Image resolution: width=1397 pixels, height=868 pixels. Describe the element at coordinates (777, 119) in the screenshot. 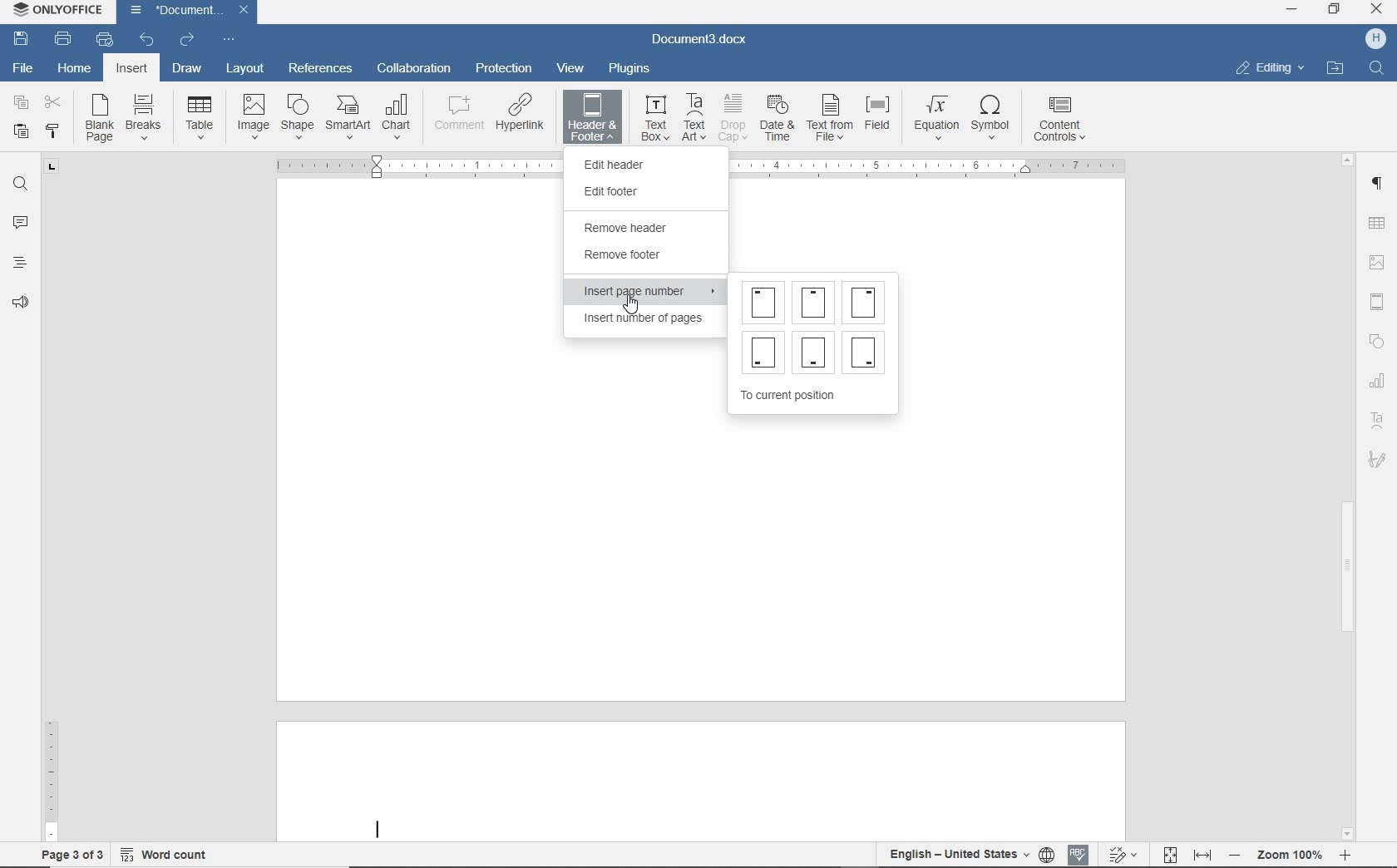

I see `DATE & TIME` at that location.